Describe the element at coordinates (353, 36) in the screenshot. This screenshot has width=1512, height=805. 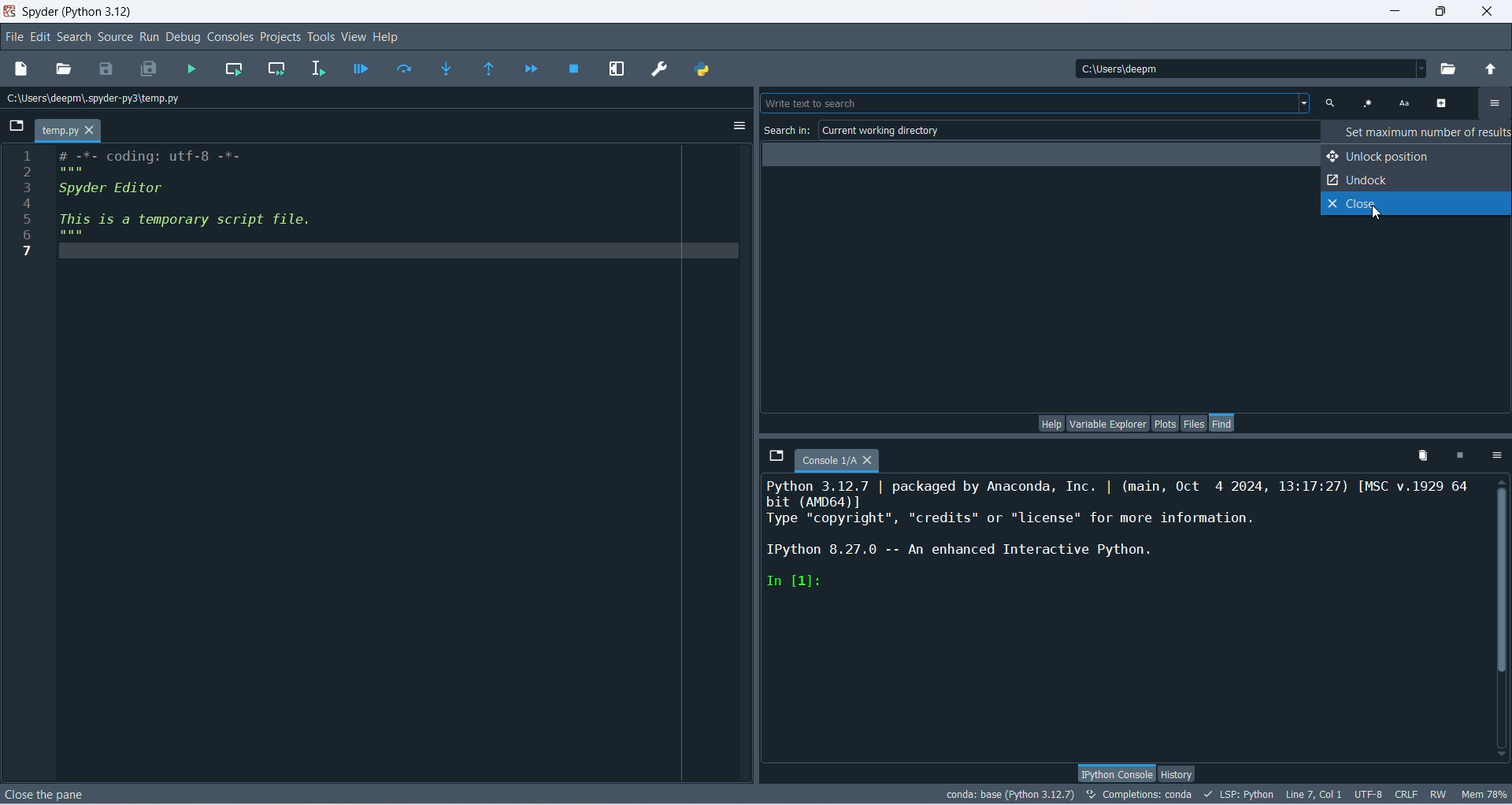
I see `view` at that location.